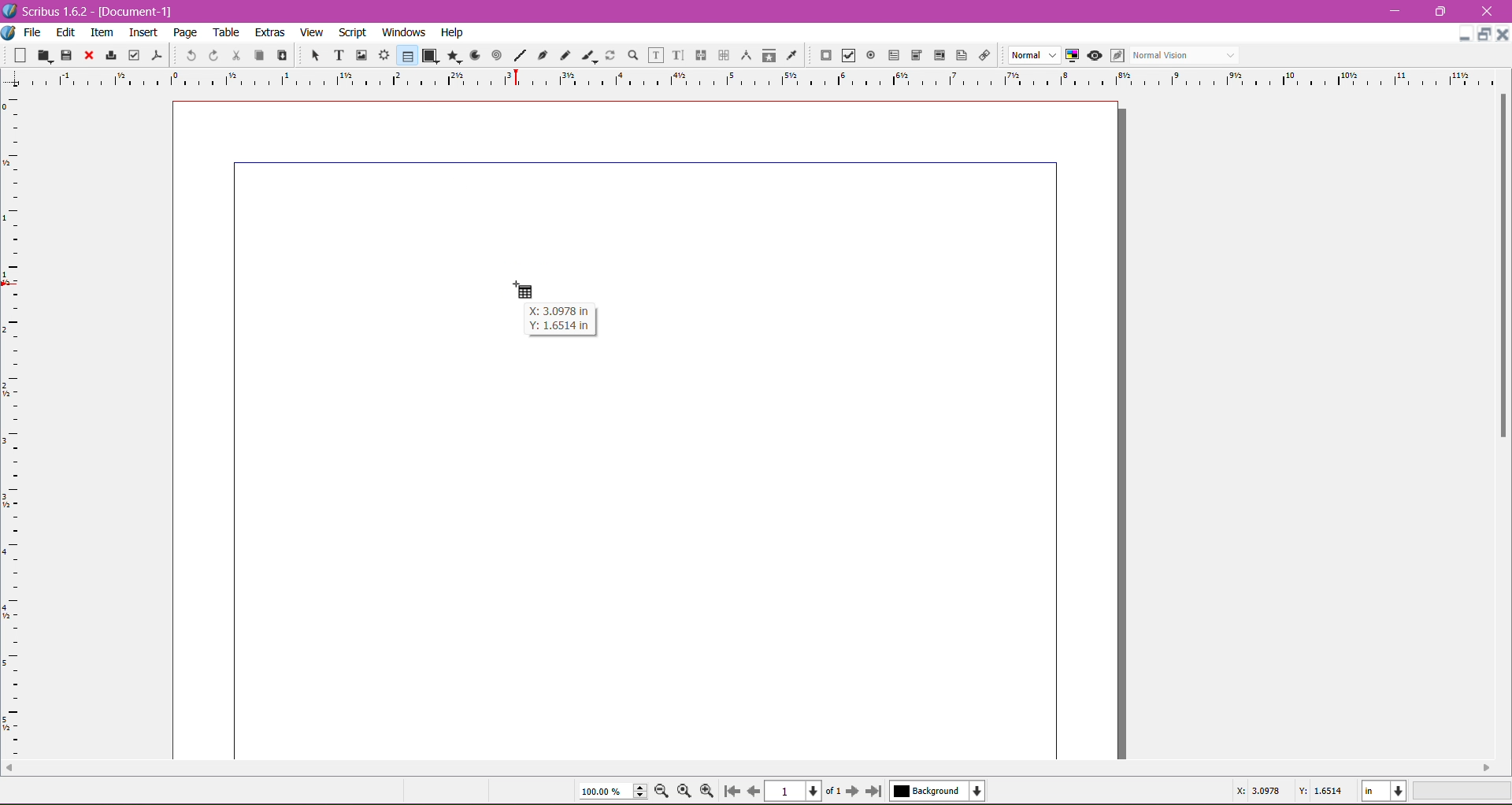 Image resolution: width=1512 pixels, height=805 pixels. What do you see at coordinates (495, 54) in the screenshot?
I see `Spiral` at bounding box center [495, 54].